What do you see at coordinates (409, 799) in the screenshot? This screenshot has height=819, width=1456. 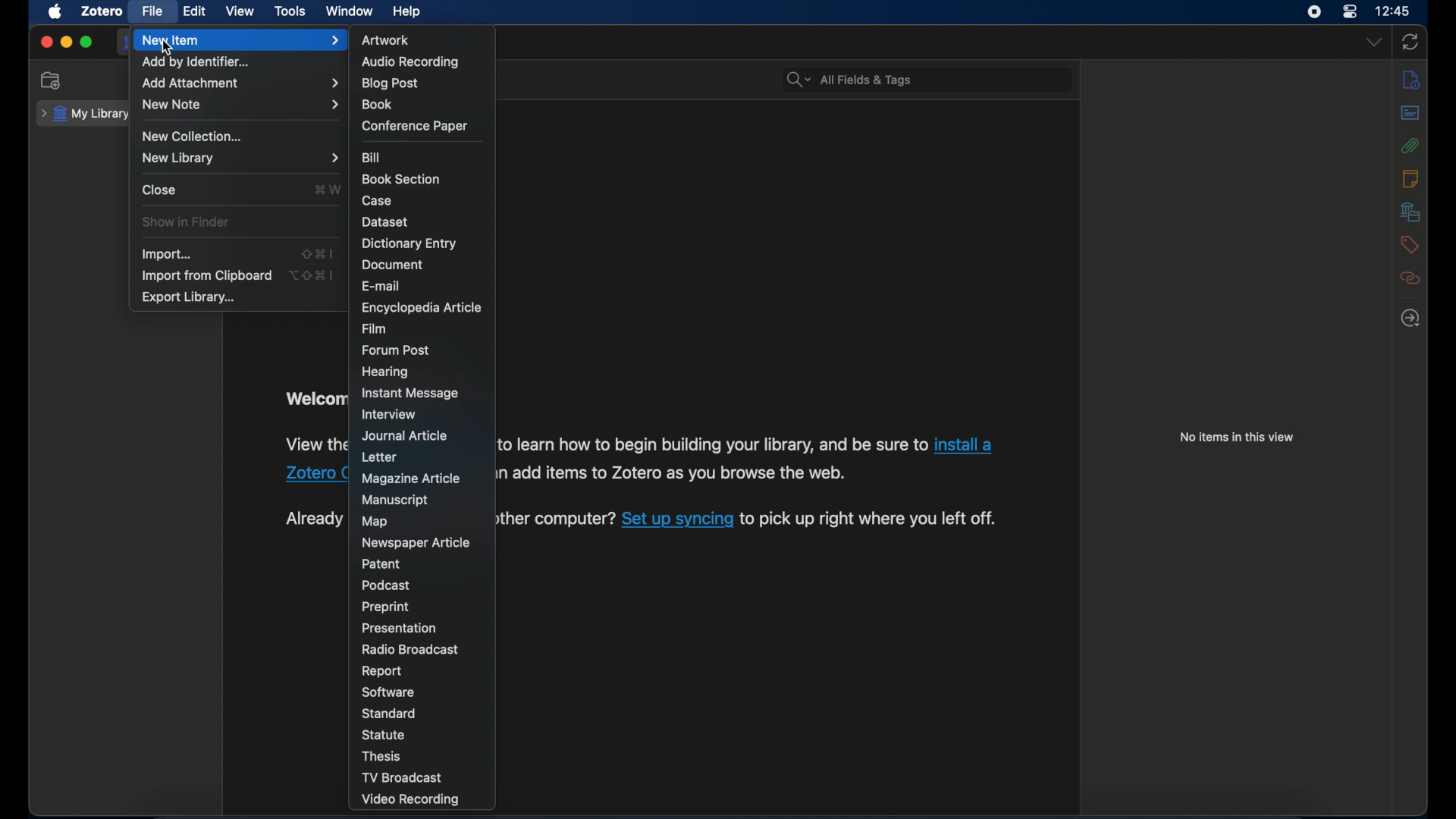 I see `video recording` at bounding box center [409, 799].